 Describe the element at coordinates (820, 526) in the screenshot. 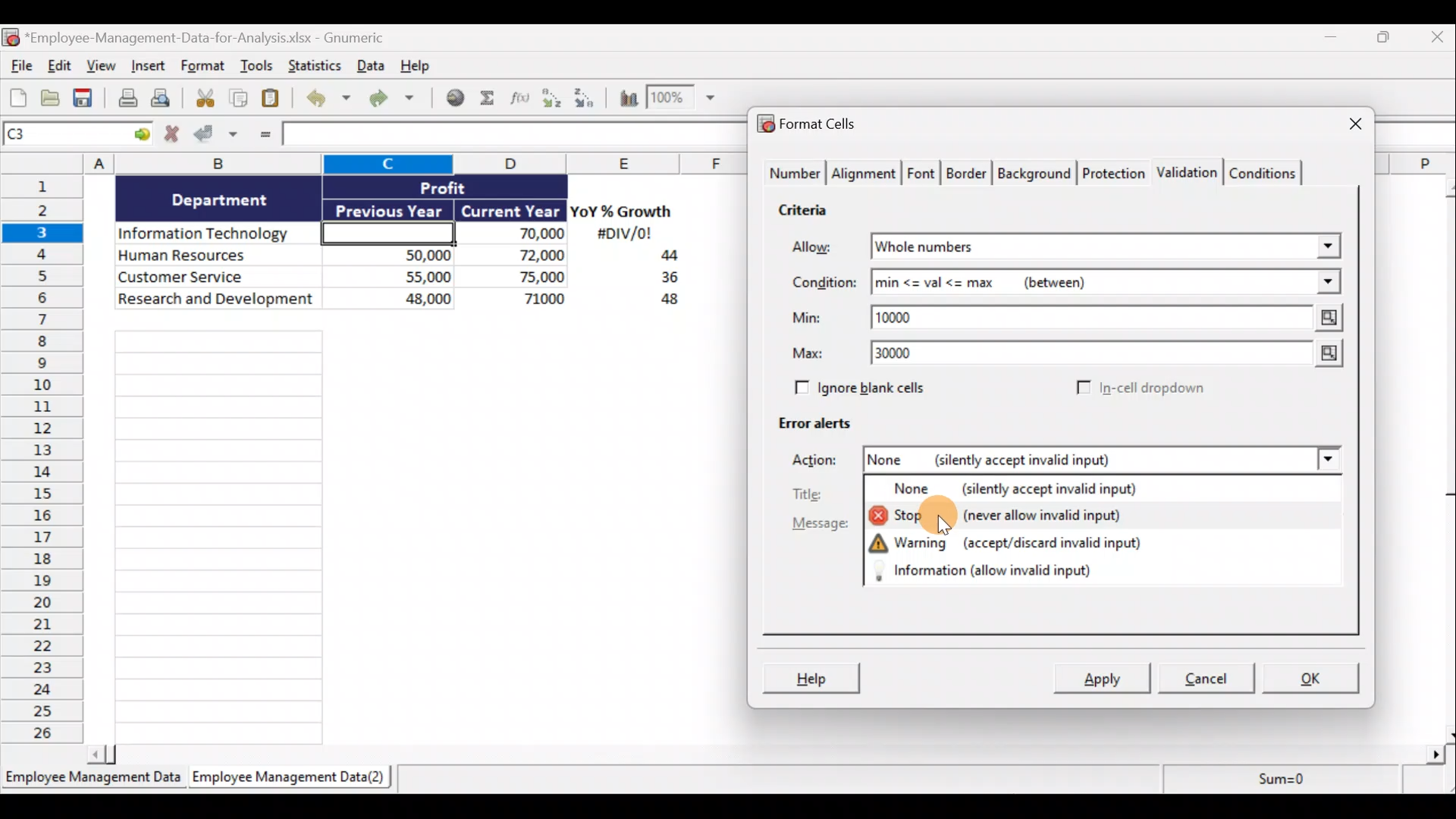

I see `Message` at that location.